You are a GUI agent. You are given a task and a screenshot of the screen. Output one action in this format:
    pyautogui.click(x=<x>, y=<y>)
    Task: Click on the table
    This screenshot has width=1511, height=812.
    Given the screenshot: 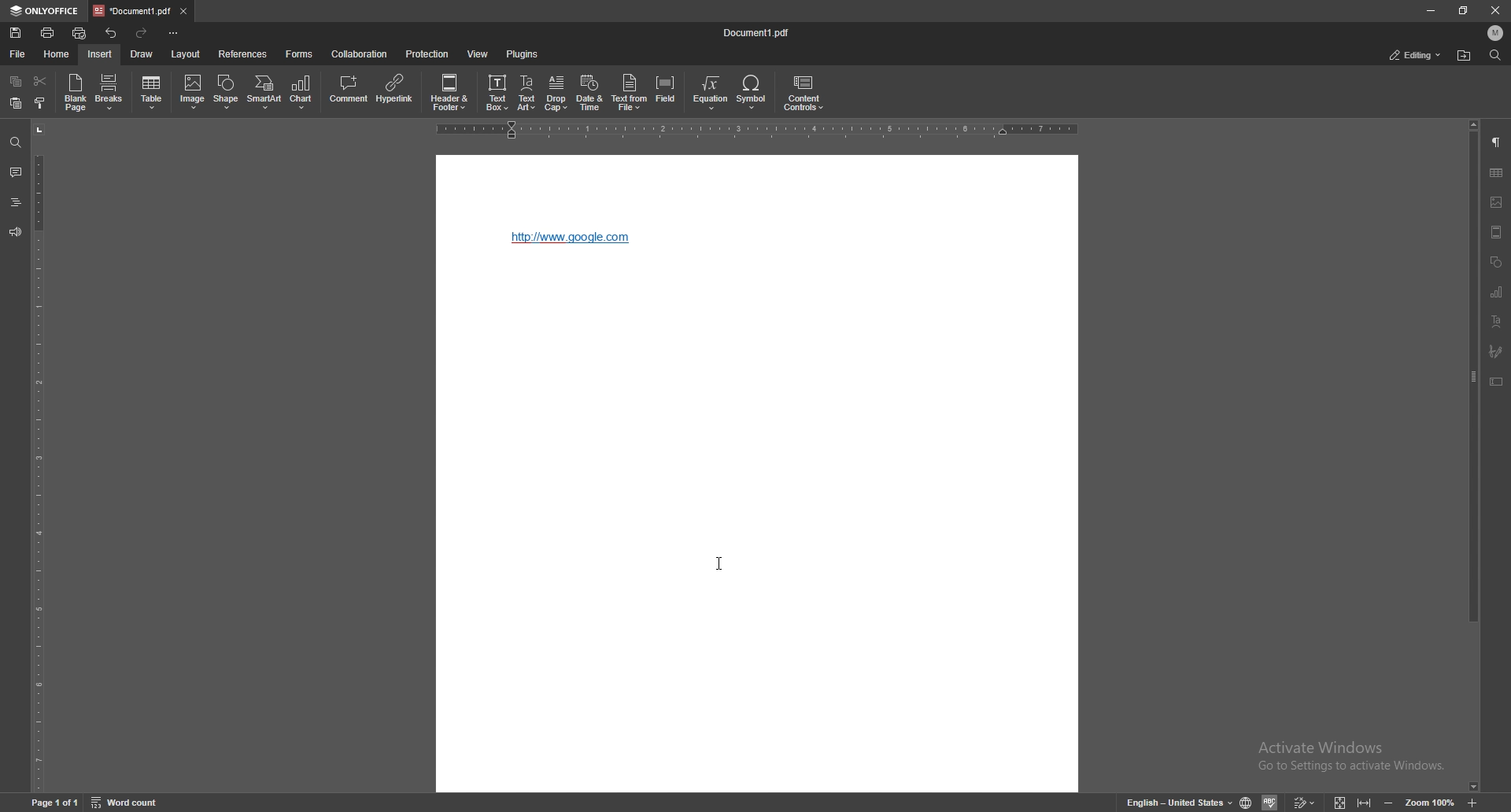 What is the action you would take?
    pyautogui.click(x=1496, y=172)
    